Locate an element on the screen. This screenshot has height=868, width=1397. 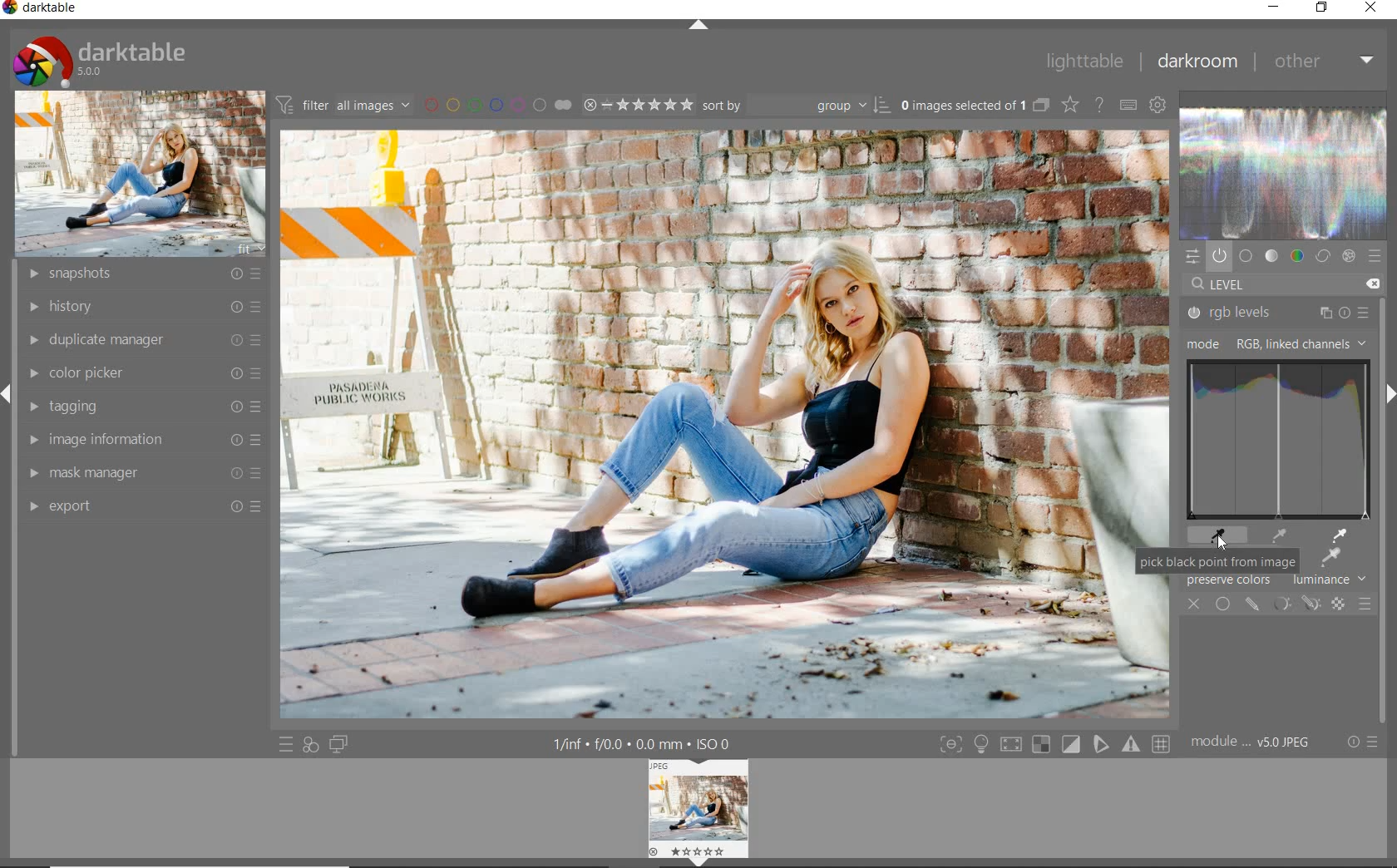
presets is located at coordinates (1377, 254).